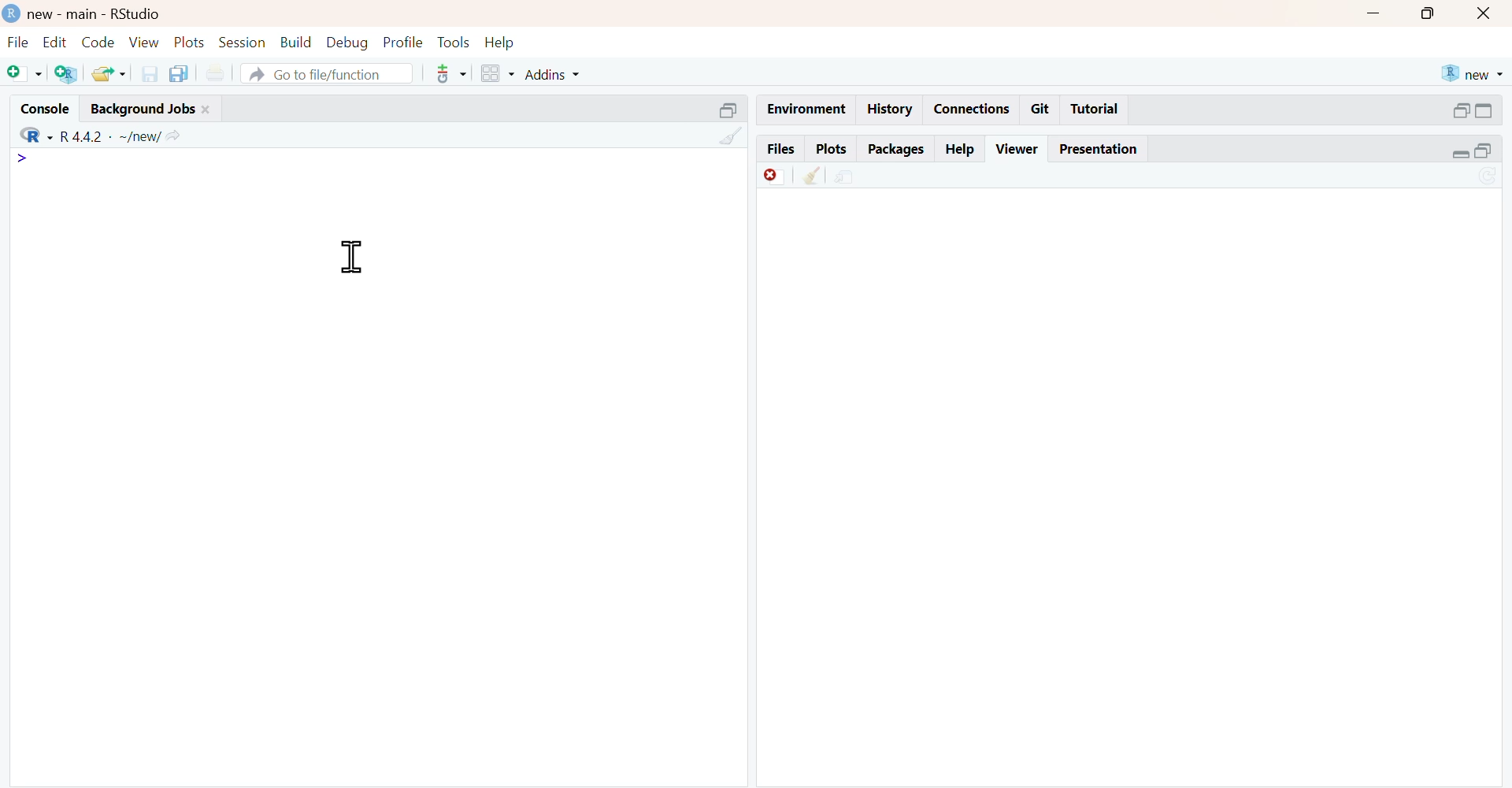 Image resolution: width=1512 pixels, height=788 pixels. Describe the element at coordinates (98, 43) in the screenshot. I see `code` at that location.